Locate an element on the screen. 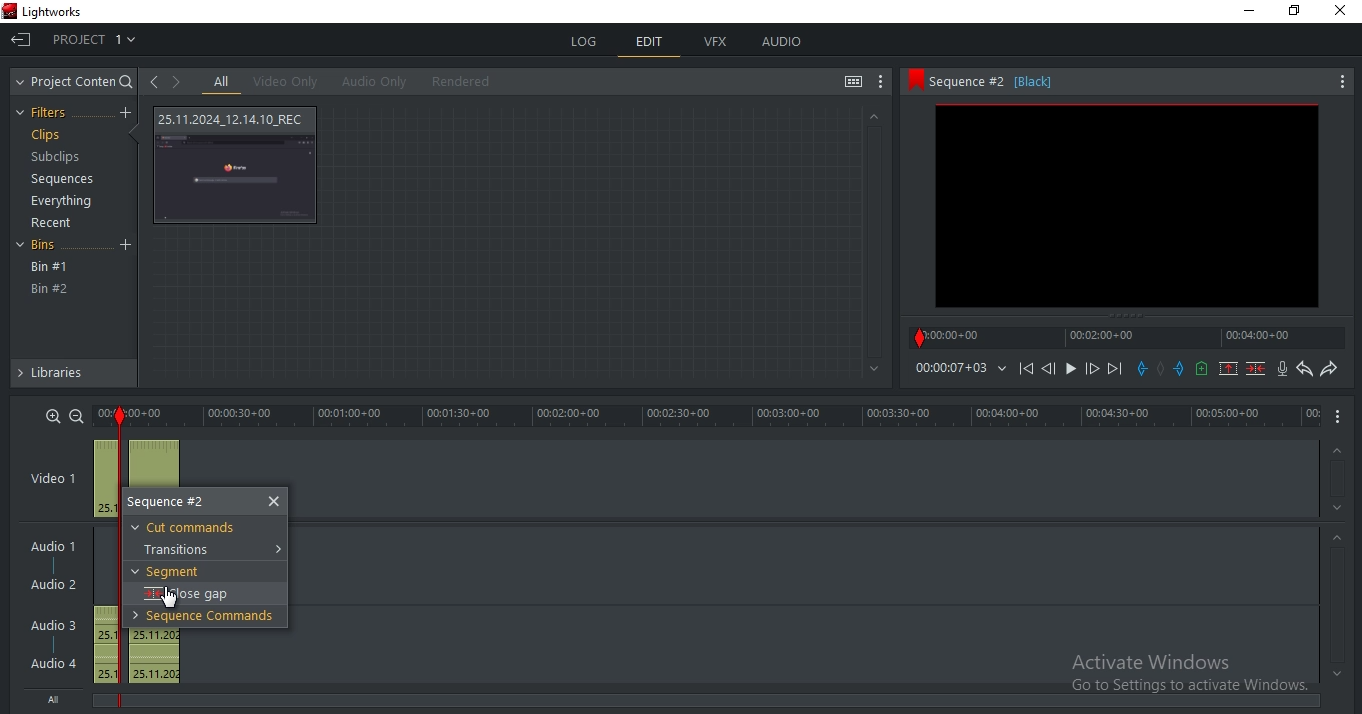  video is located at coordinates (238, 165).